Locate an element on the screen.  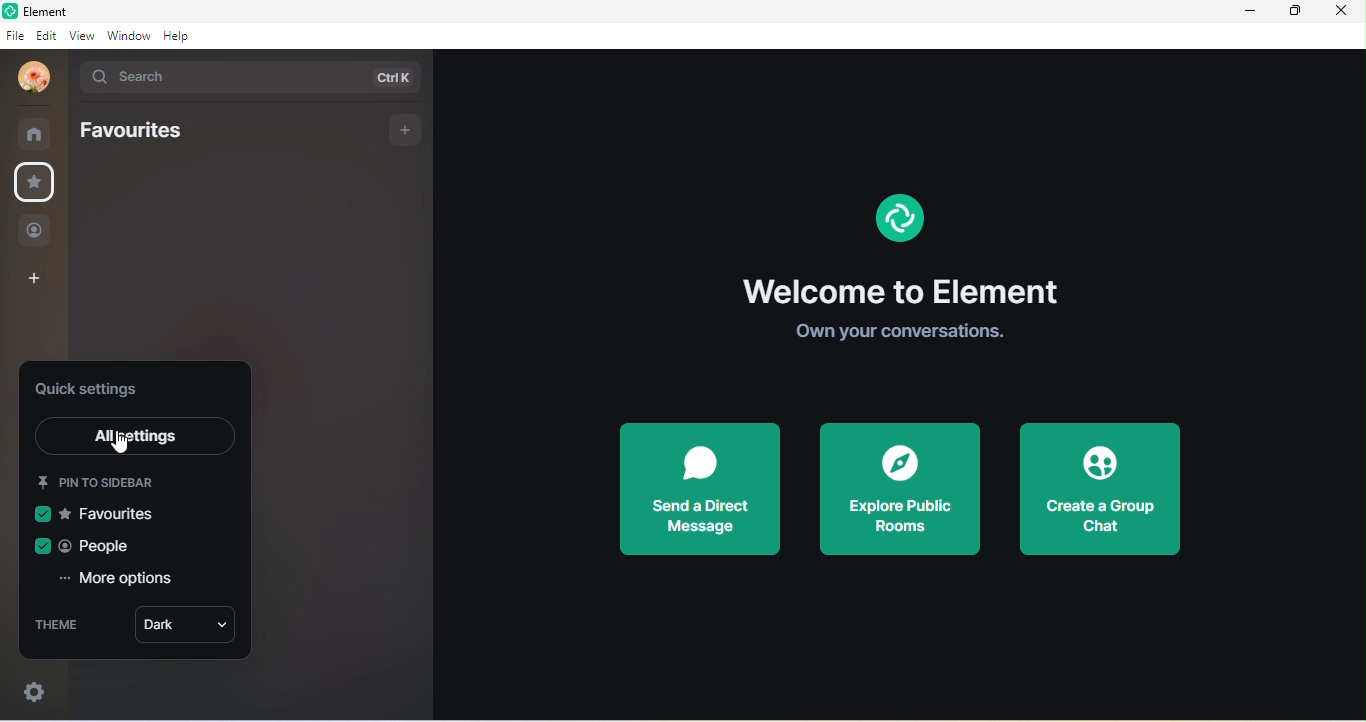
theme is located at coordinates (60, 624).